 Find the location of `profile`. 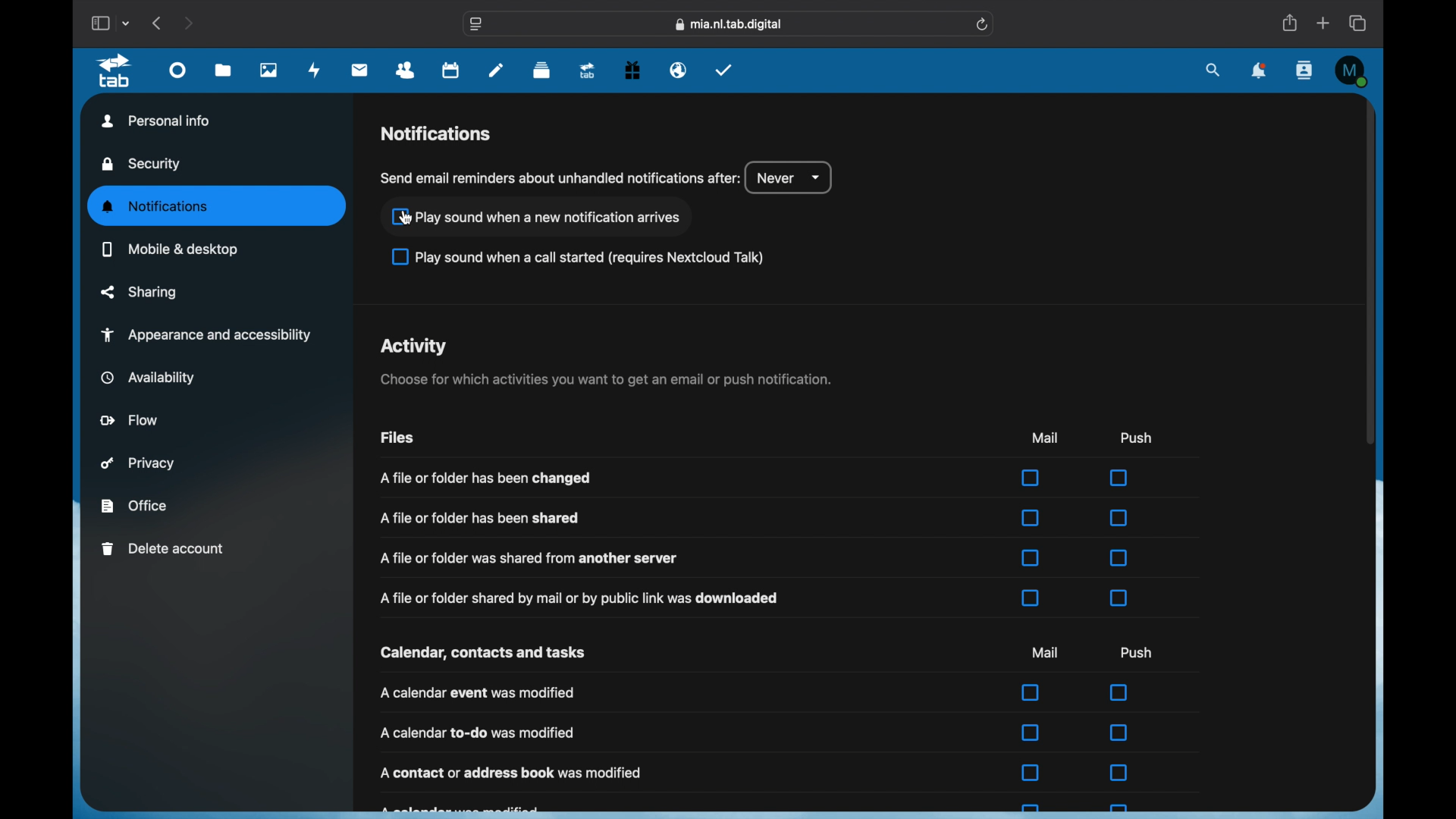

profile is located at coordinates (1350, 68).